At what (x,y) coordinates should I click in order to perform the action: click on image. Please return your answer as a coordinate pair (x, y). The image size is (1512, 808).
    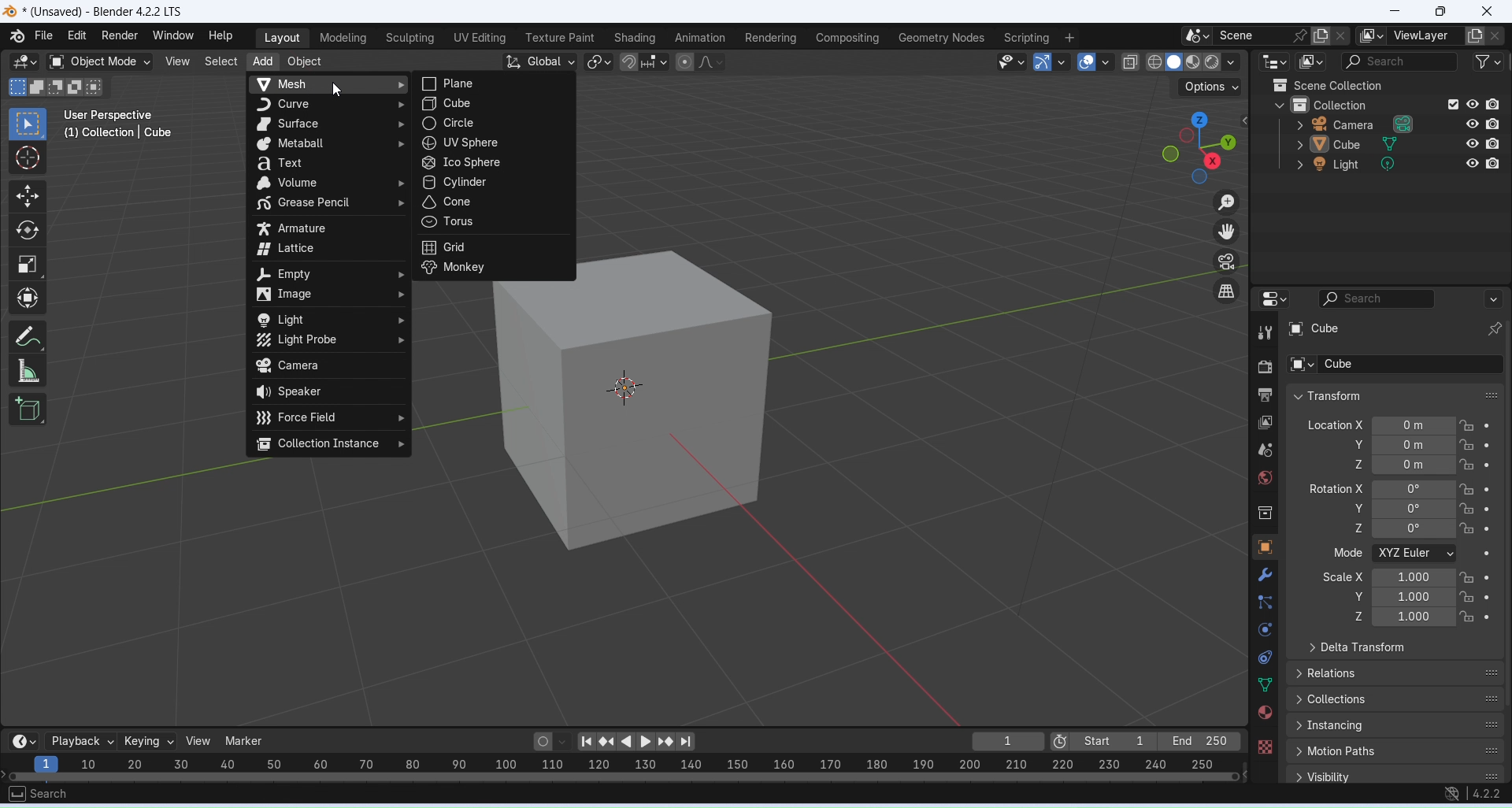
    Looking at the image, I should click on (332, 295).